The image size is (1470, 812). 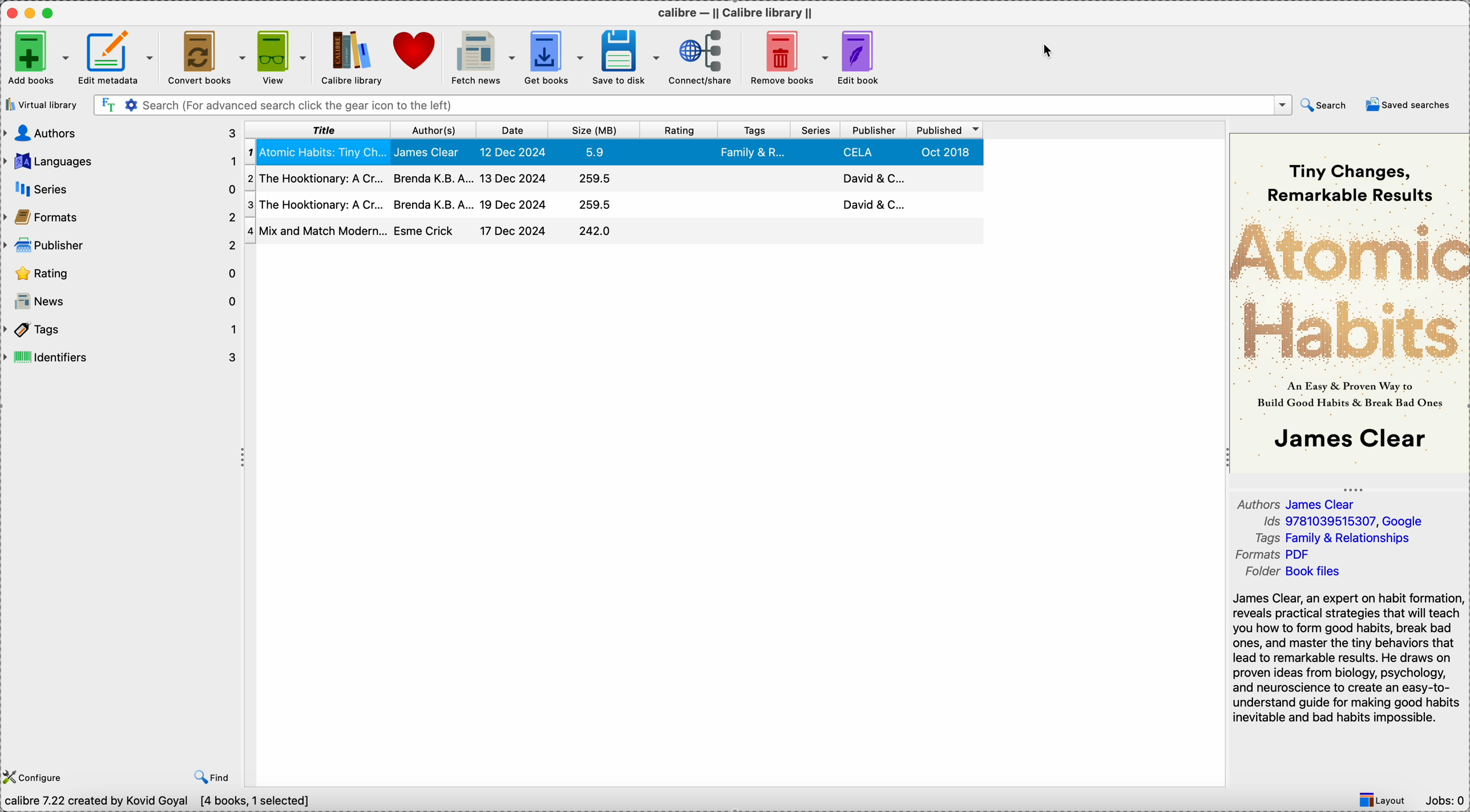 What do you see at coordinates (754, 130) in the screenshot?
I see `tags` at bounding box center [754, 130].